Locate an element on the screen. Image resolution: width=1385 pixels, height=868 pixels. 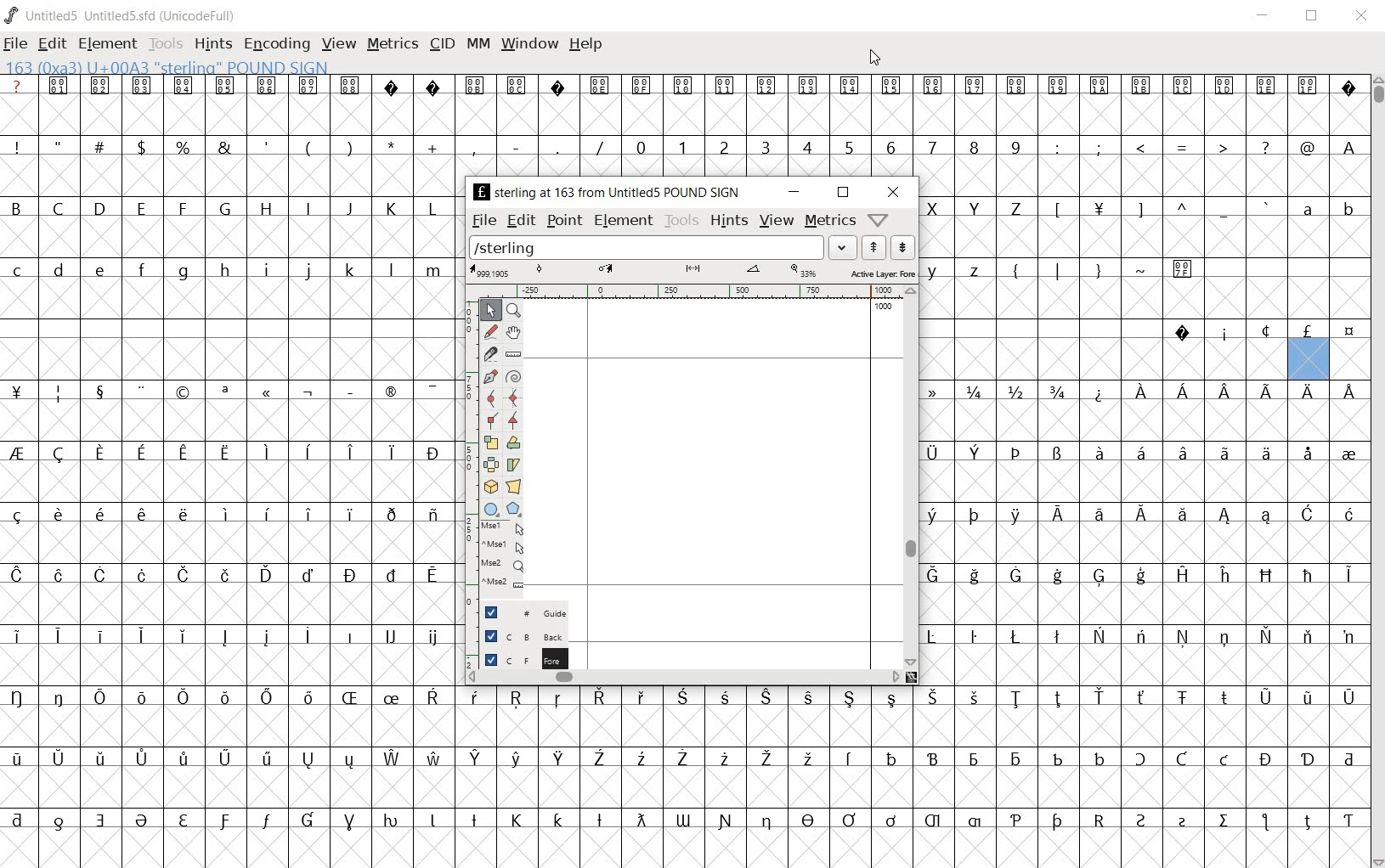
Symbol is located at coordinates (1184, 268).